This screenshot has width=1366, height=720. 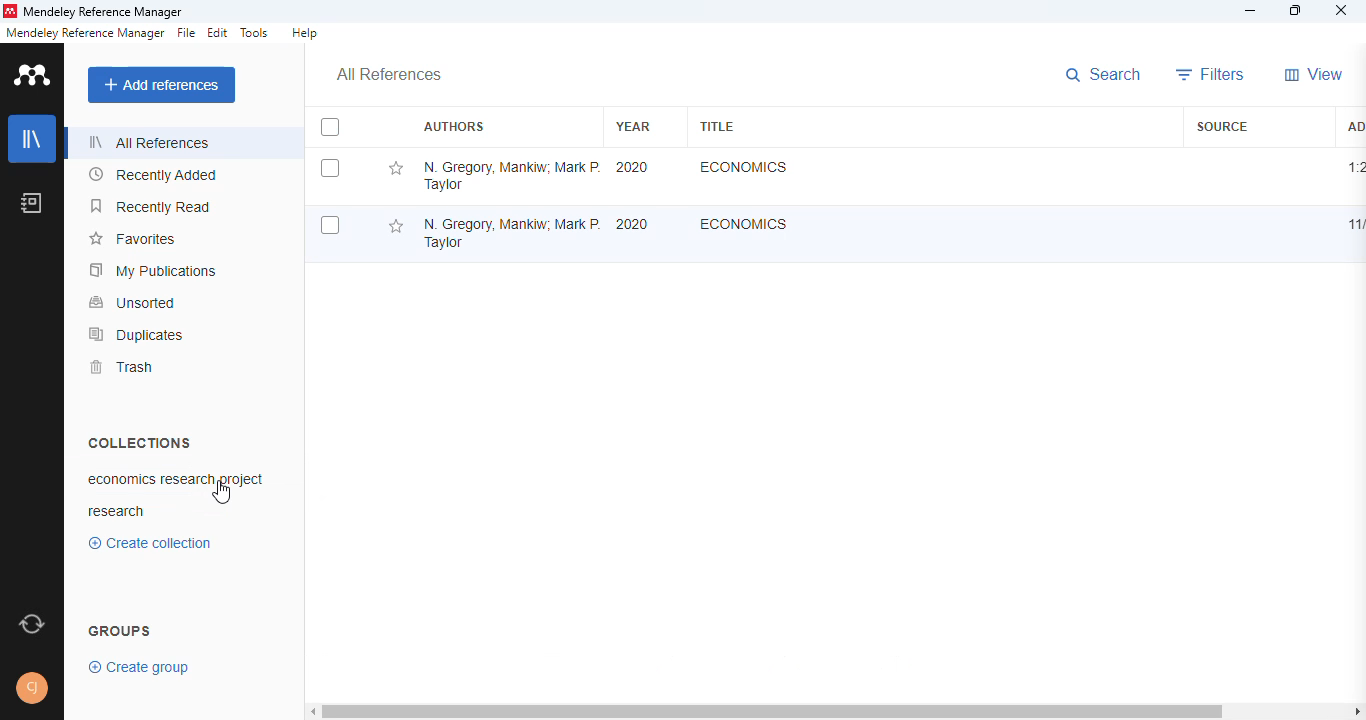 What do you see at coordinates (395, 227) in the screenshot?
I see `add this reference to favorites` at bounding box center [395, 227].